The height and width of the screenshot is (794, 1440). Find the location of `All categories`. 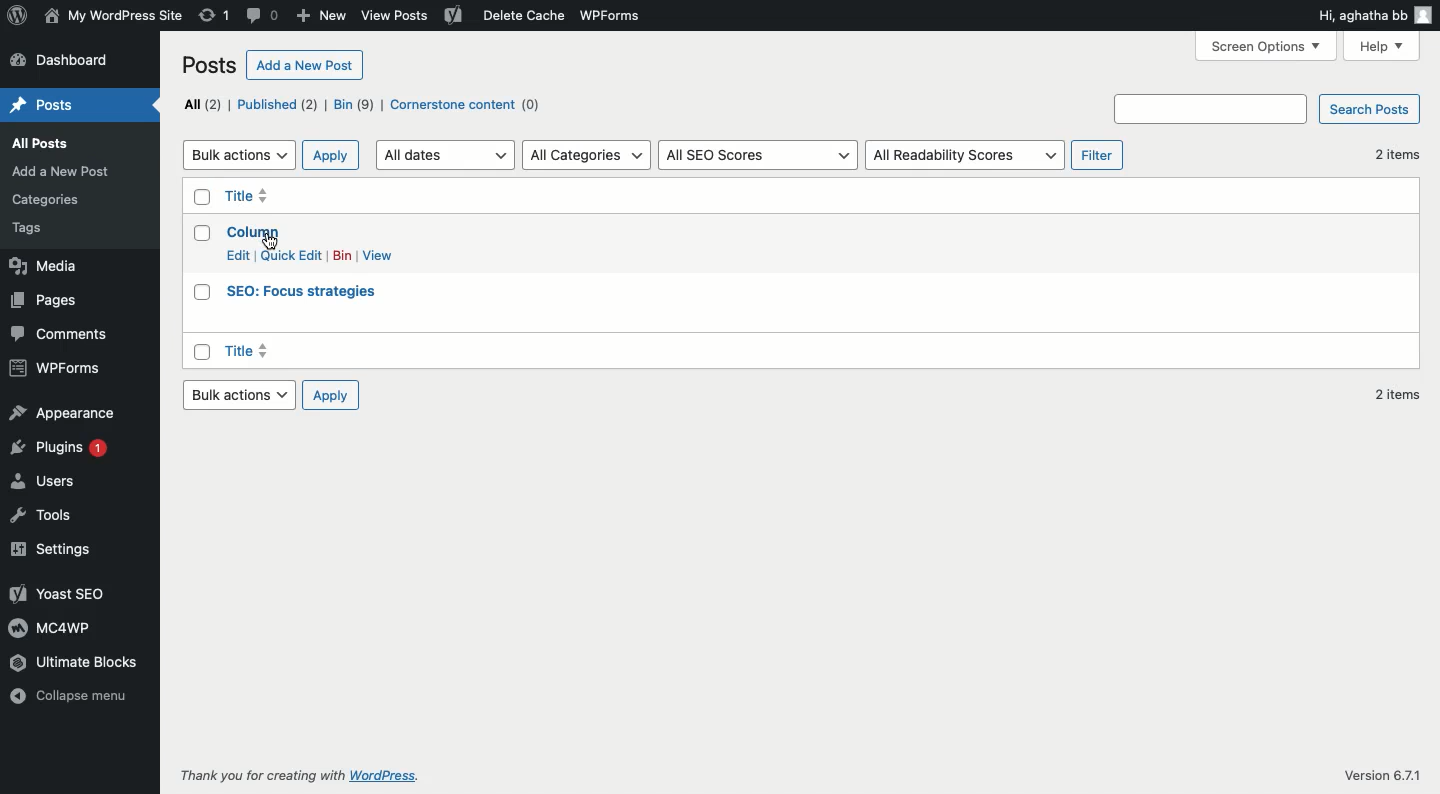

All categories is located at coordinates (588, 156).